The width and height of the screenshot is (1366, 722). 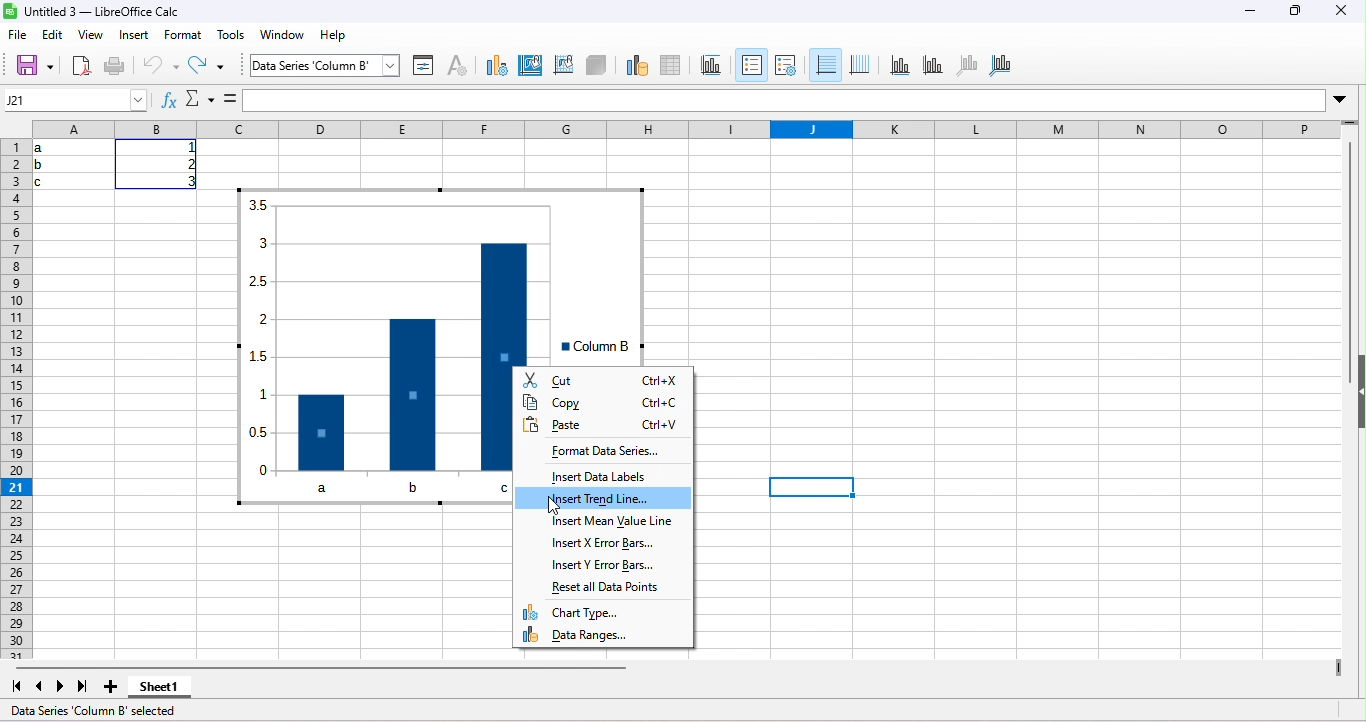 What do you see at coordinates (785, 101) in the screenshot?
I see `input line` at bounding box center [785, 101].